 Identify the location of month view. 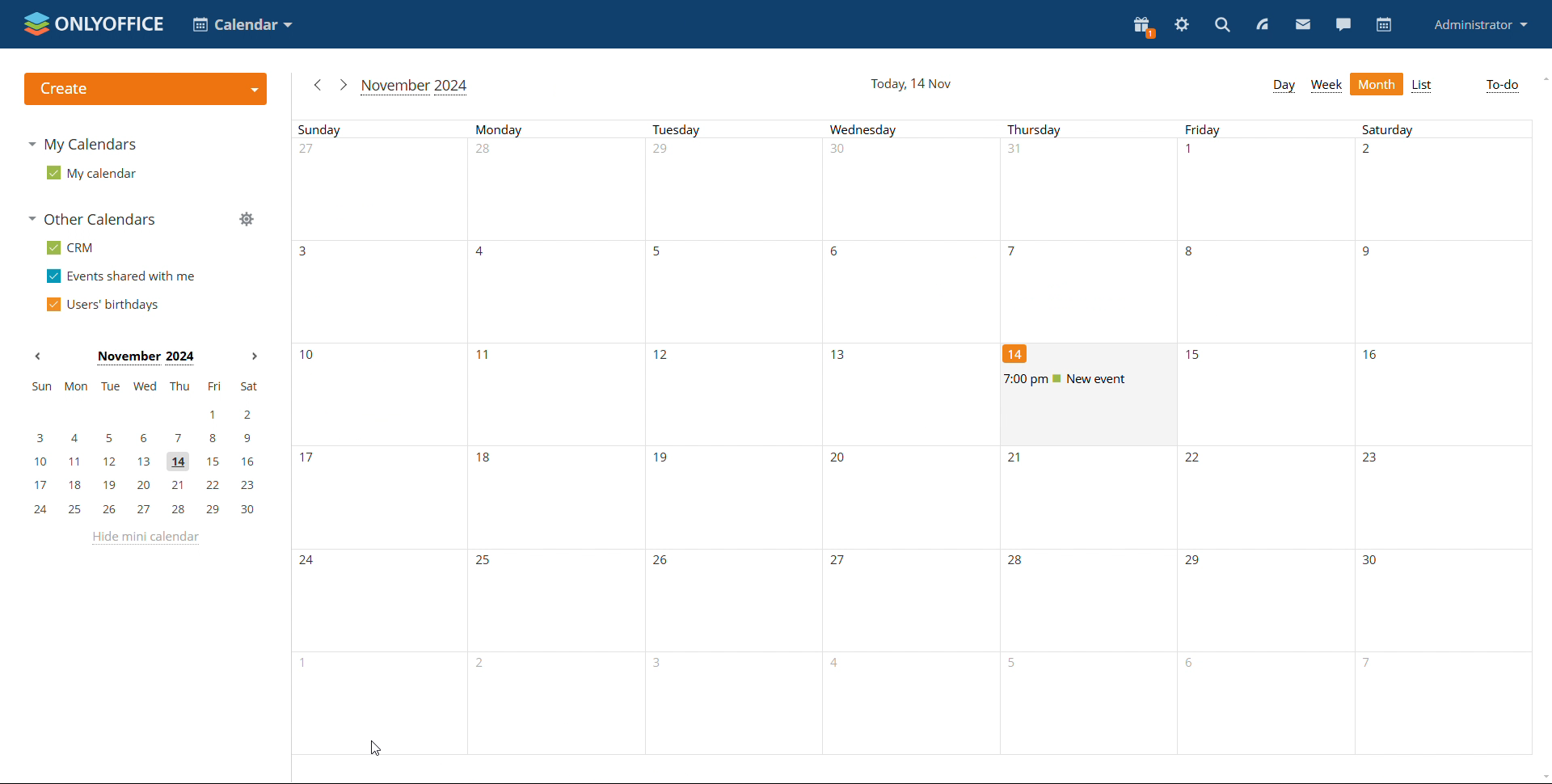
(1377, 83).